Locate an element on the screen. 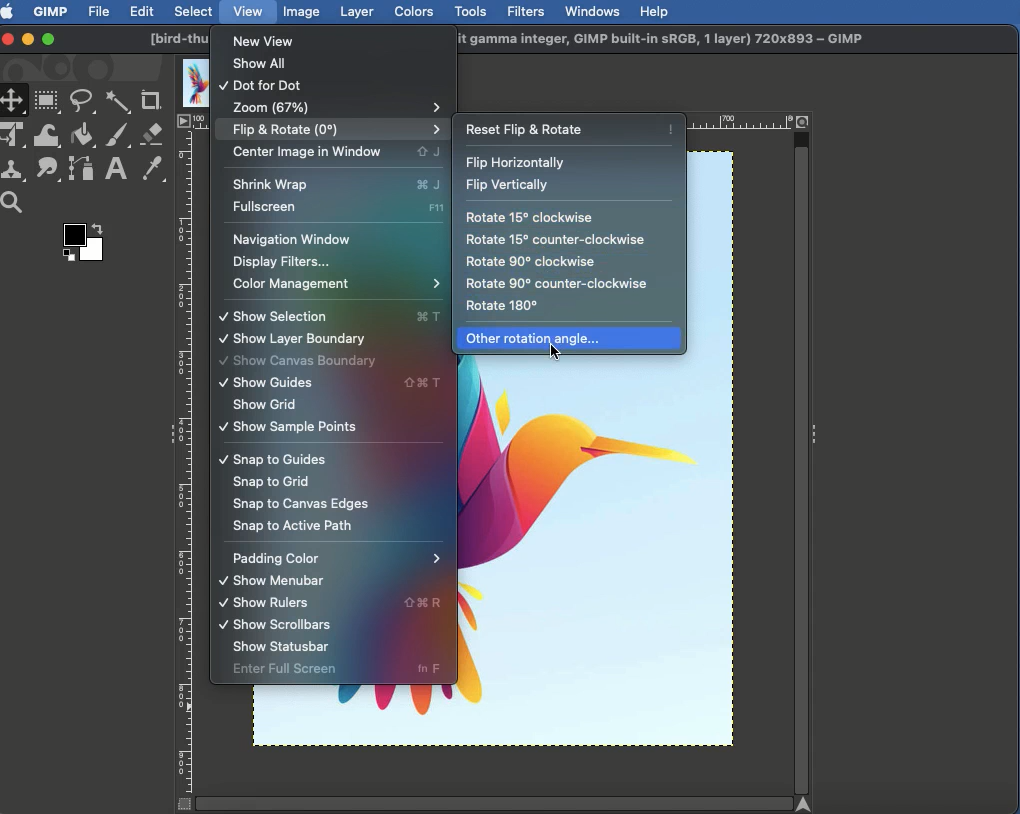  Image is located at coordinates (302, 11).